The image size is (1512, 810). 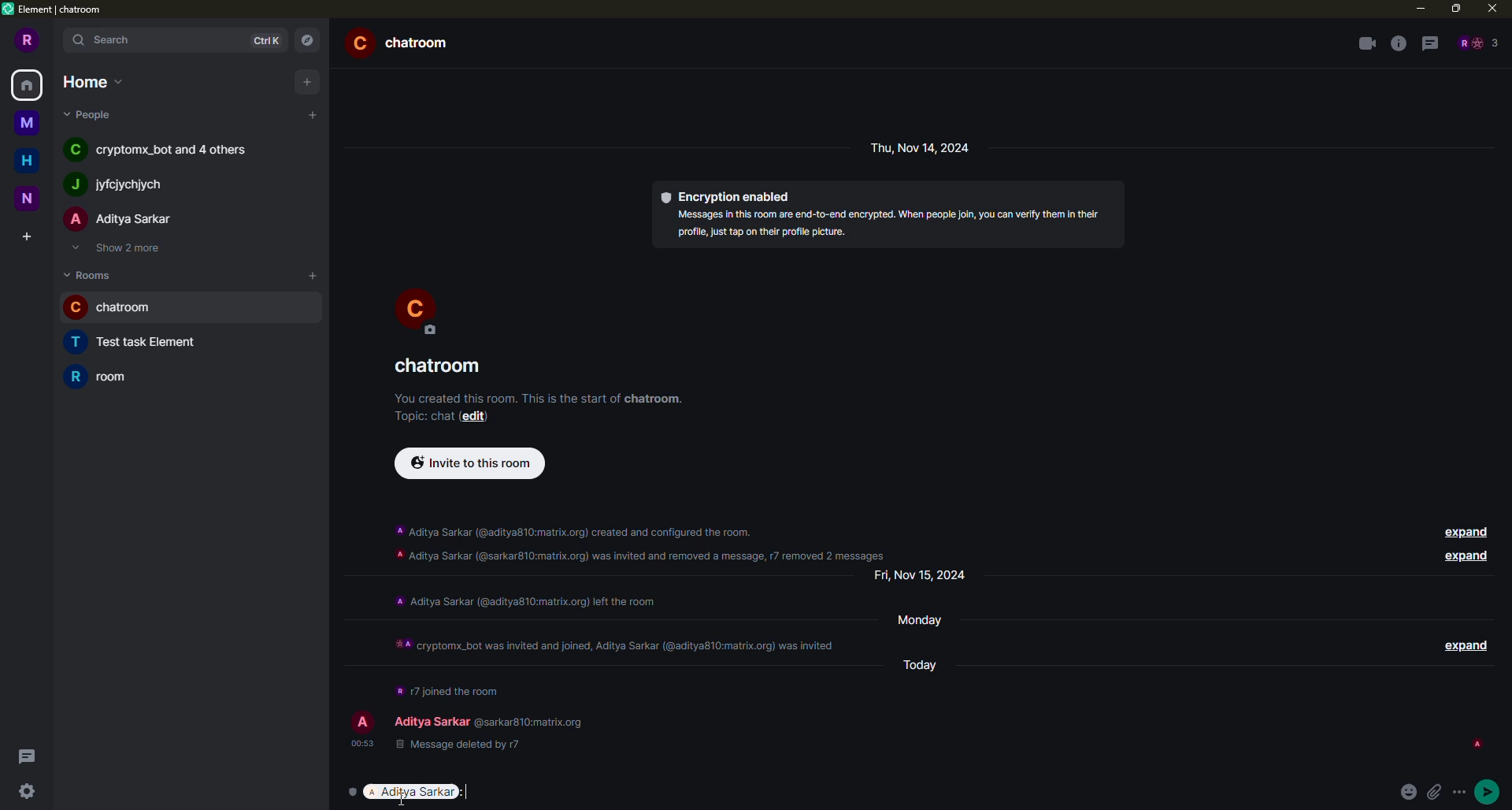 What do you see at coordinates (412, 793) in the screenshot?
I see `metioned` at bounding box center [412, 793].